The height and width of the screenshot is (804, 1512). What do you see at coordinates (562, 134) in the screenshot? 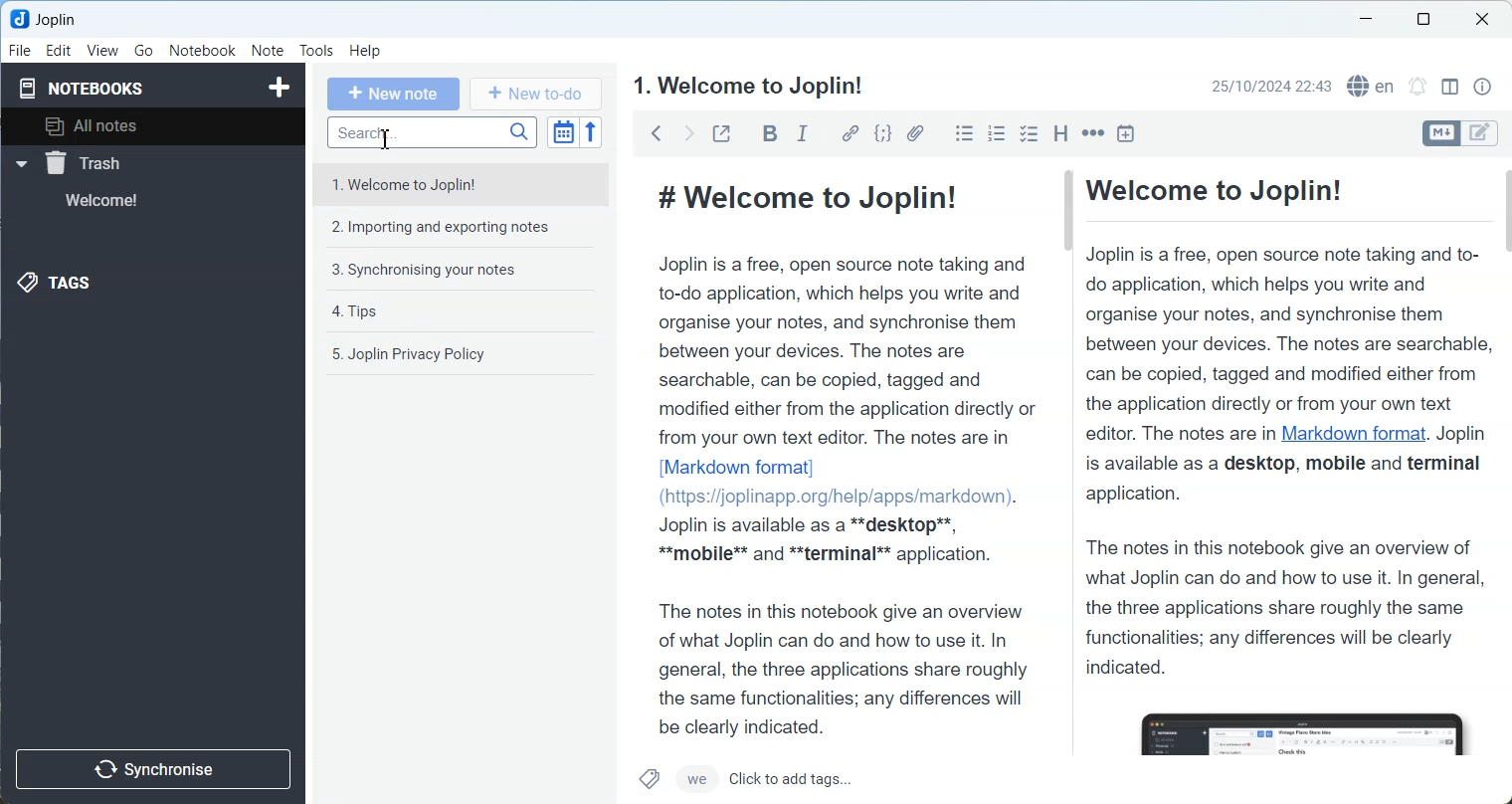
I see `Toggle sort order field` at bounding box center [562, 134].